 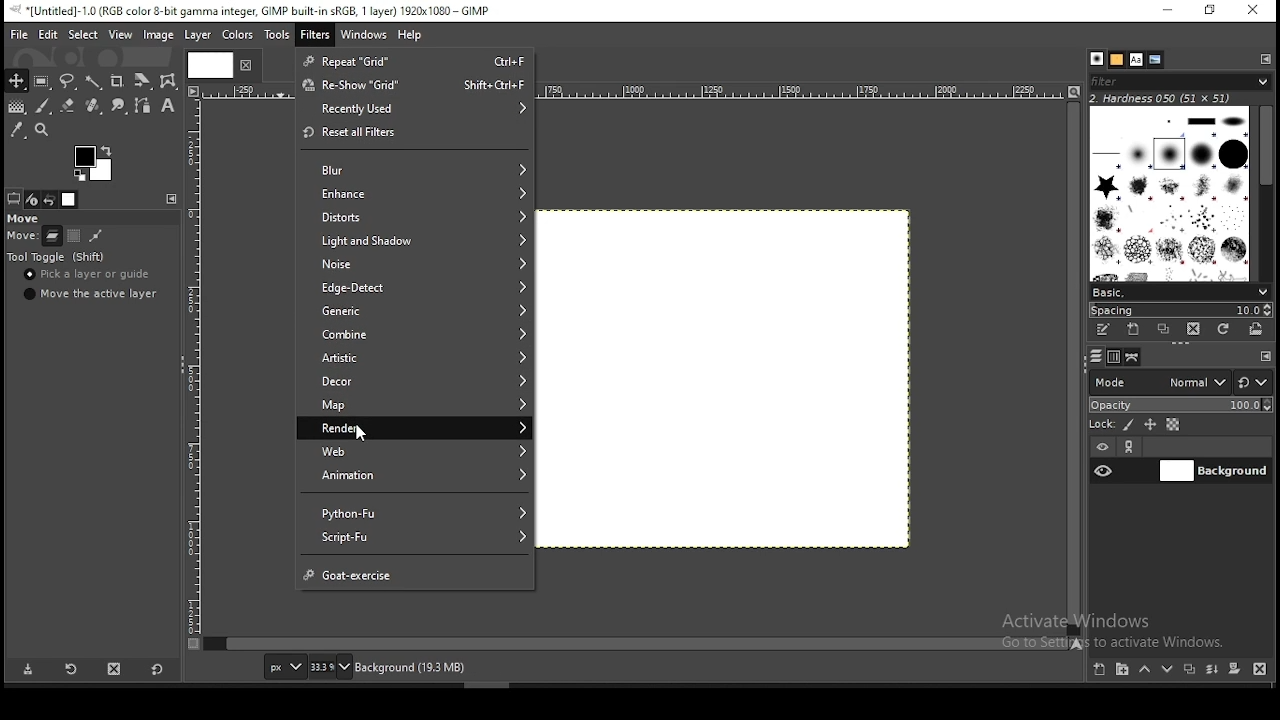 I want to click on decor, so click(x=412, y=380).